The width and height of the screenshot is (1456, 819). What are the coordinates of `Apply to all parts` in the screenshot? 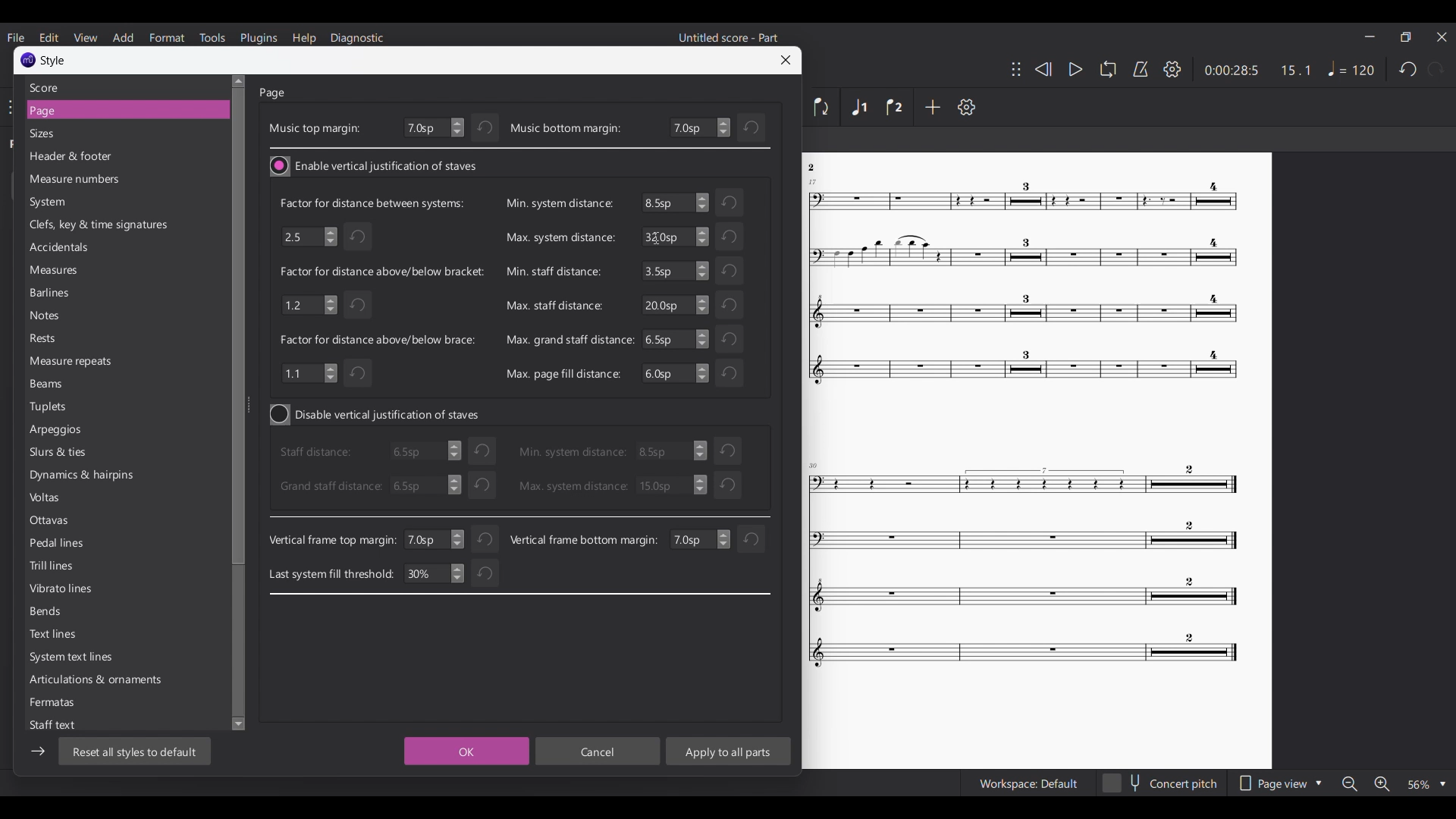 It's located at (728, 751).